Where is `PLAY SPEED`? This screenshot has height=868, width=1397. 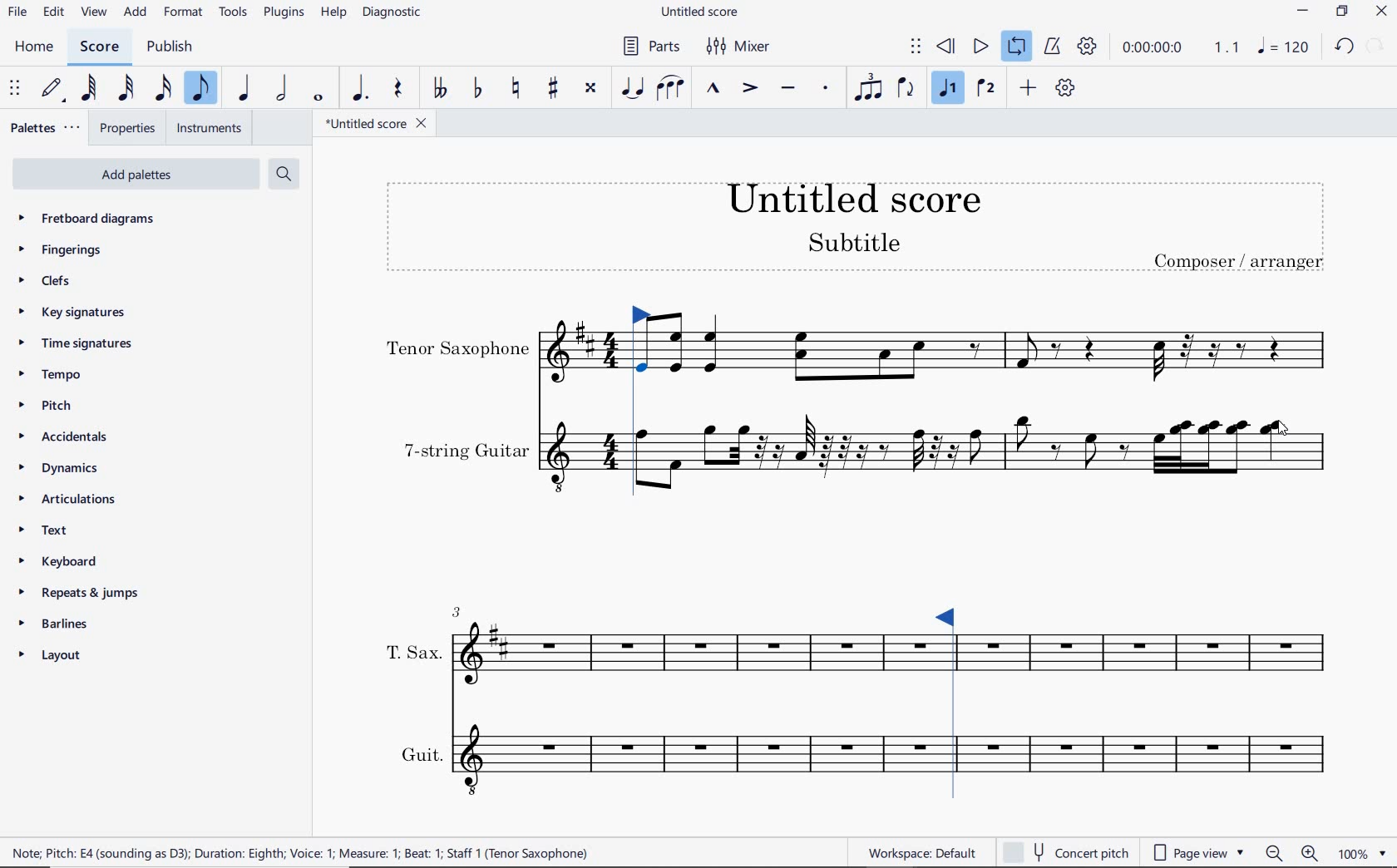 PLAY SPEED is located at coordinates (1183, 52).